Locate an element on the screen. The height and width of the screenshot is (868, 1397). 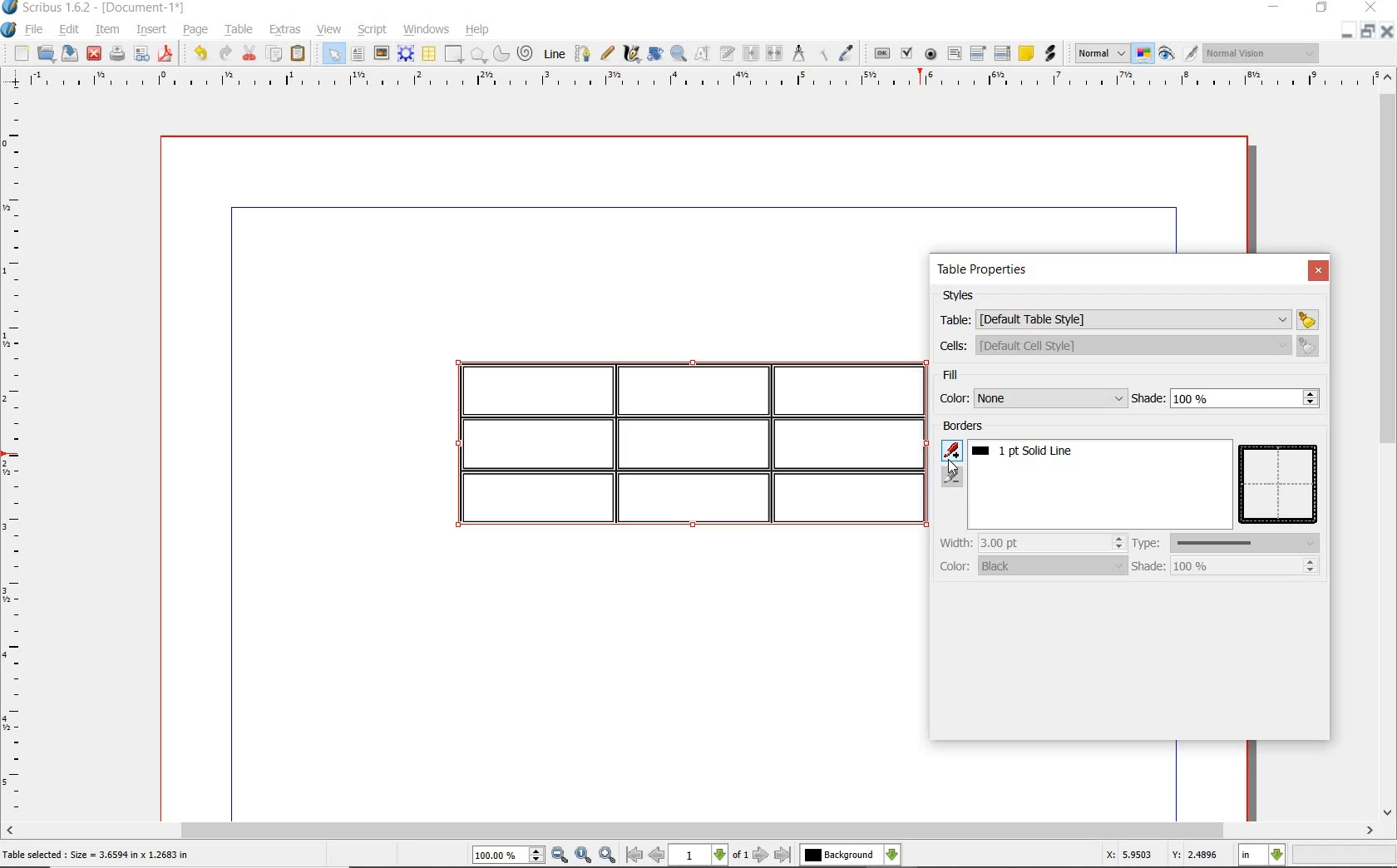
select current unit is located at coordinates (1261, 856).